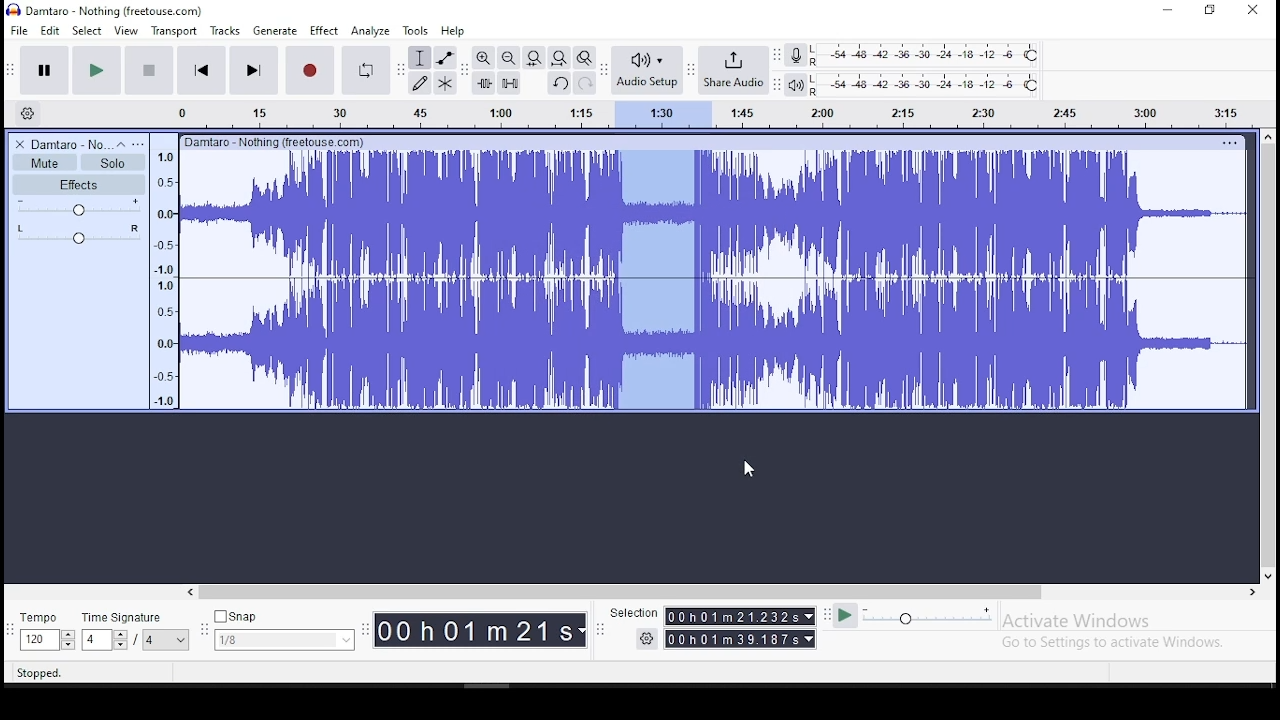 The height and width of the screenshot is (720, 1280). Describe the element at coordinates (119, 640) in the screenshot. I see `drop down` at that location.